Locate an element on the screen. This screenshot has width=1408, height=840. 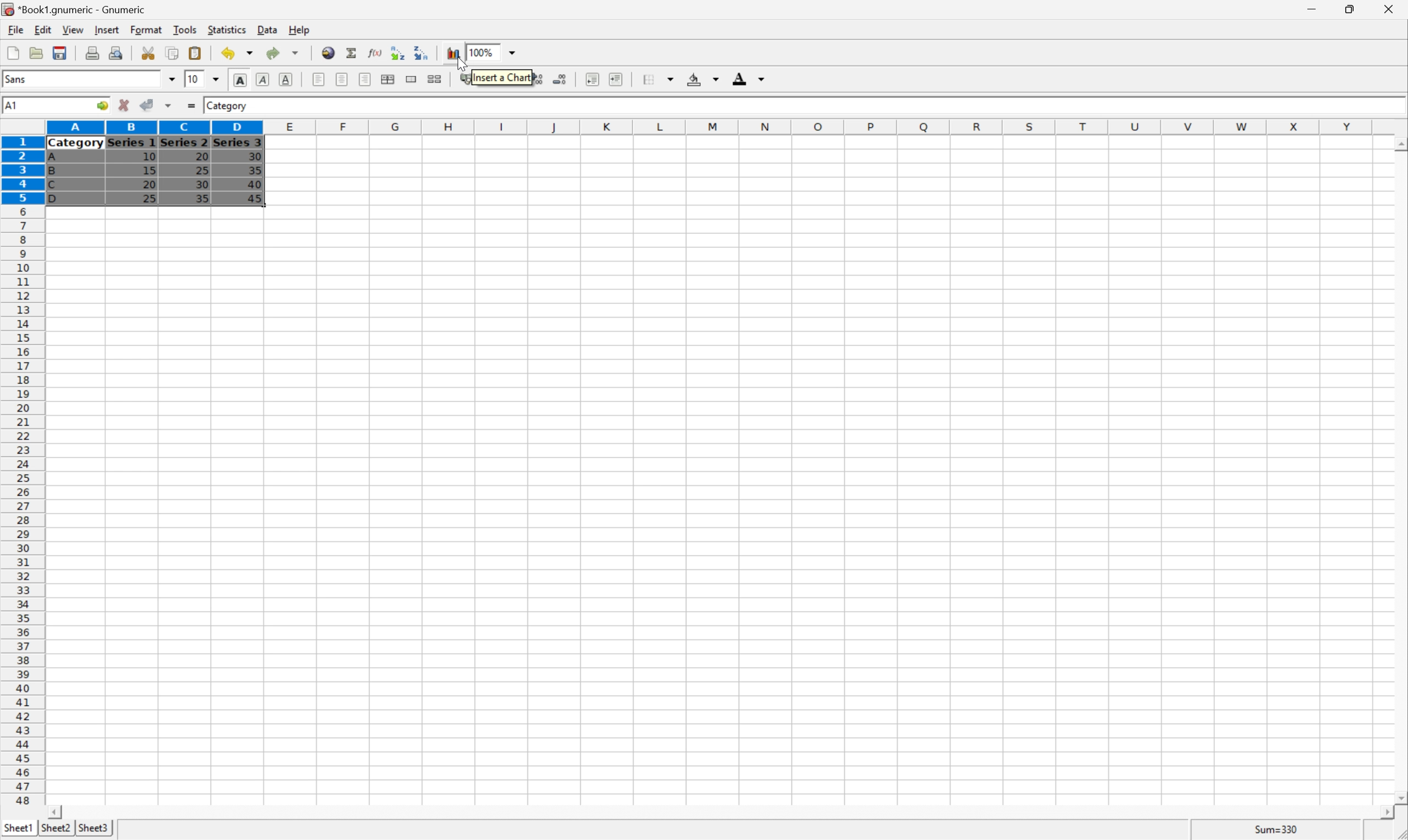
Row numbers is located at coordinates (21, 470).